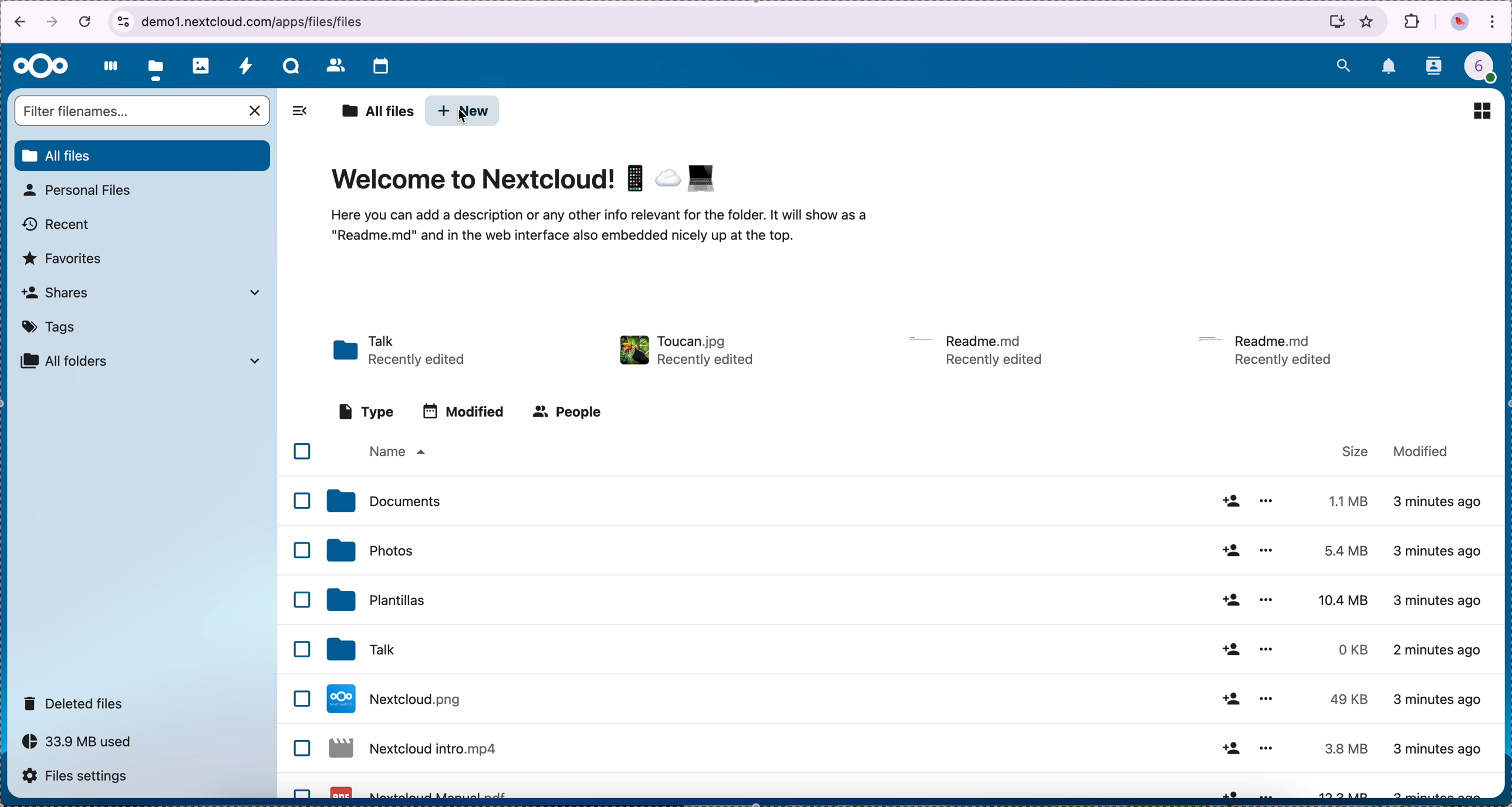 The image size is (1512, 807). Describe the element at coordinates (1266, 549) in the screenshot. I see `more options` at that location.